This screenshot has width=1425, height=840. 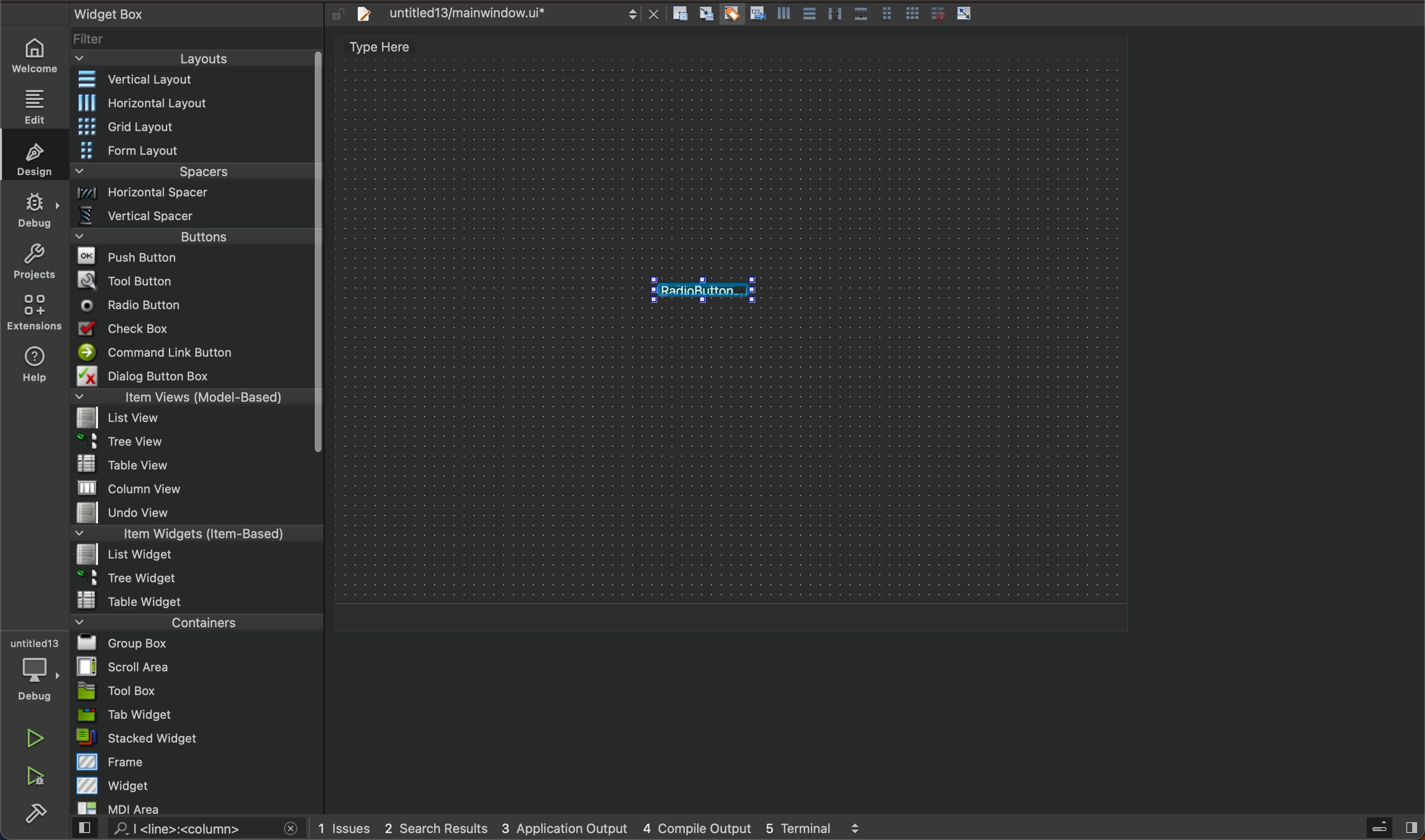 I want to click on run, so click(x=37, y=738).